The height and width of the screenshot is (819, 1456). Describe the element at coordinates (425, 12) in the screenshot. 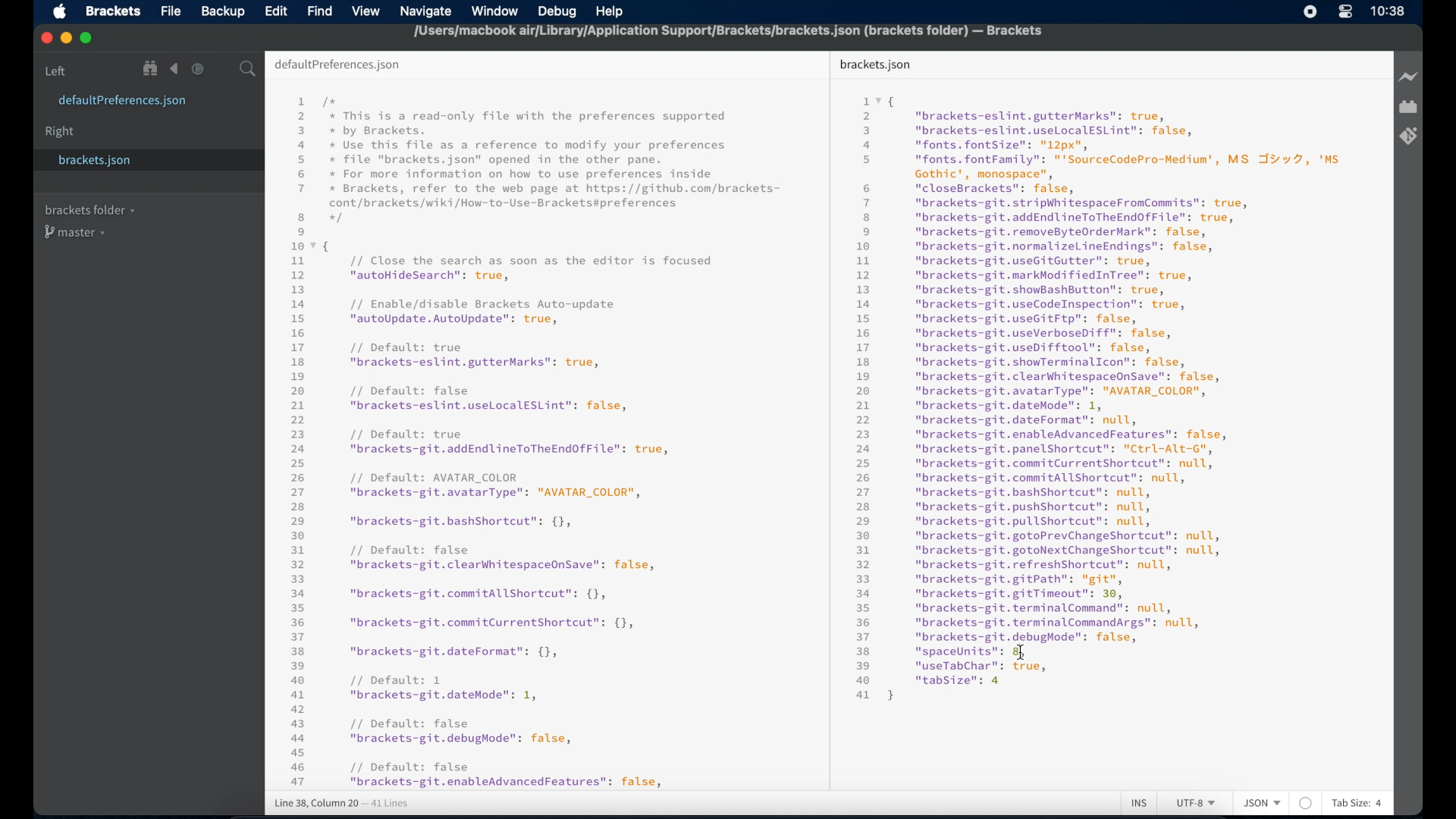

I see `navigate` at that location.